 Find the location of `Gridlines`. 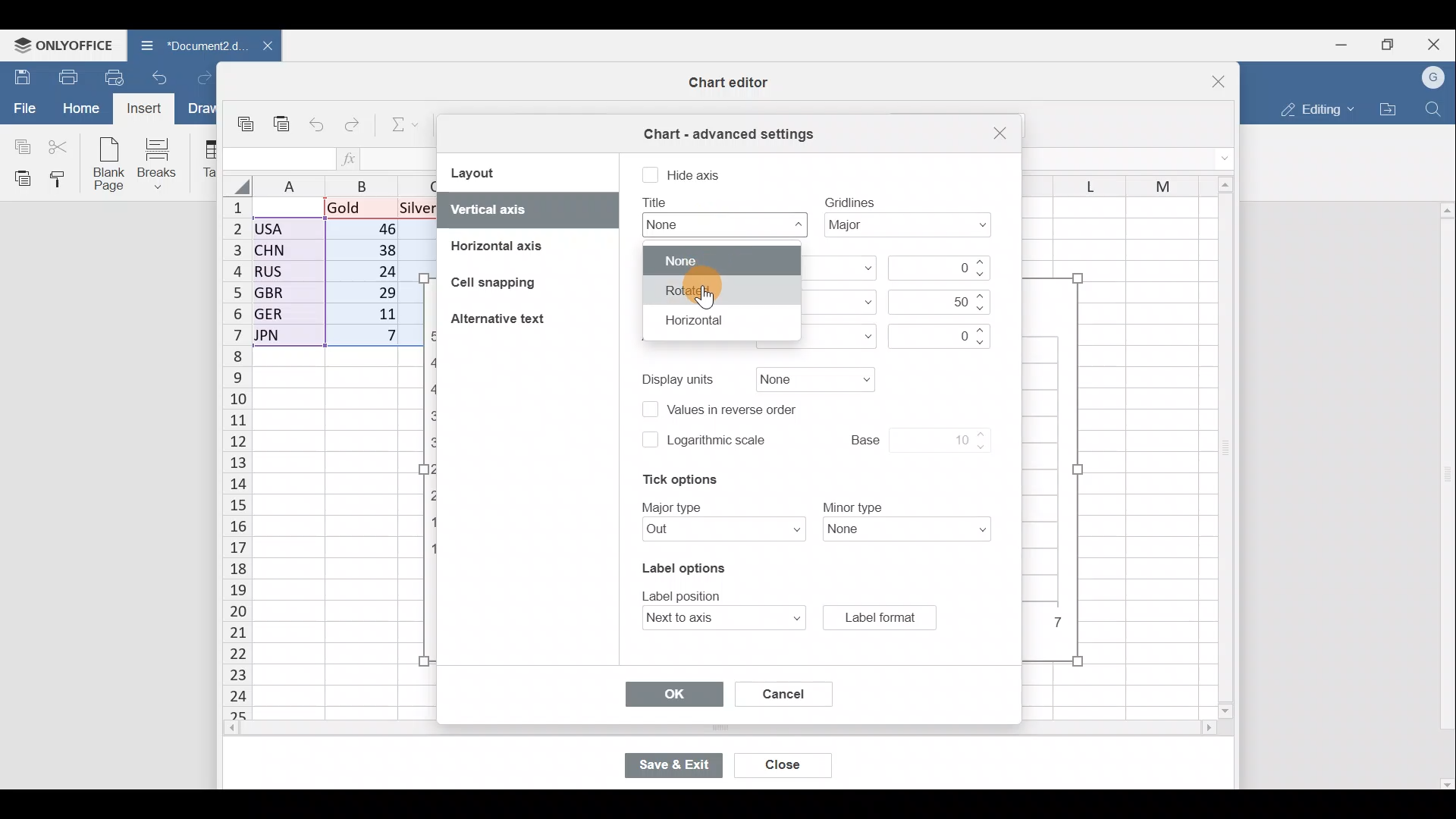

Gridlines is located at coordinates (906, 226).